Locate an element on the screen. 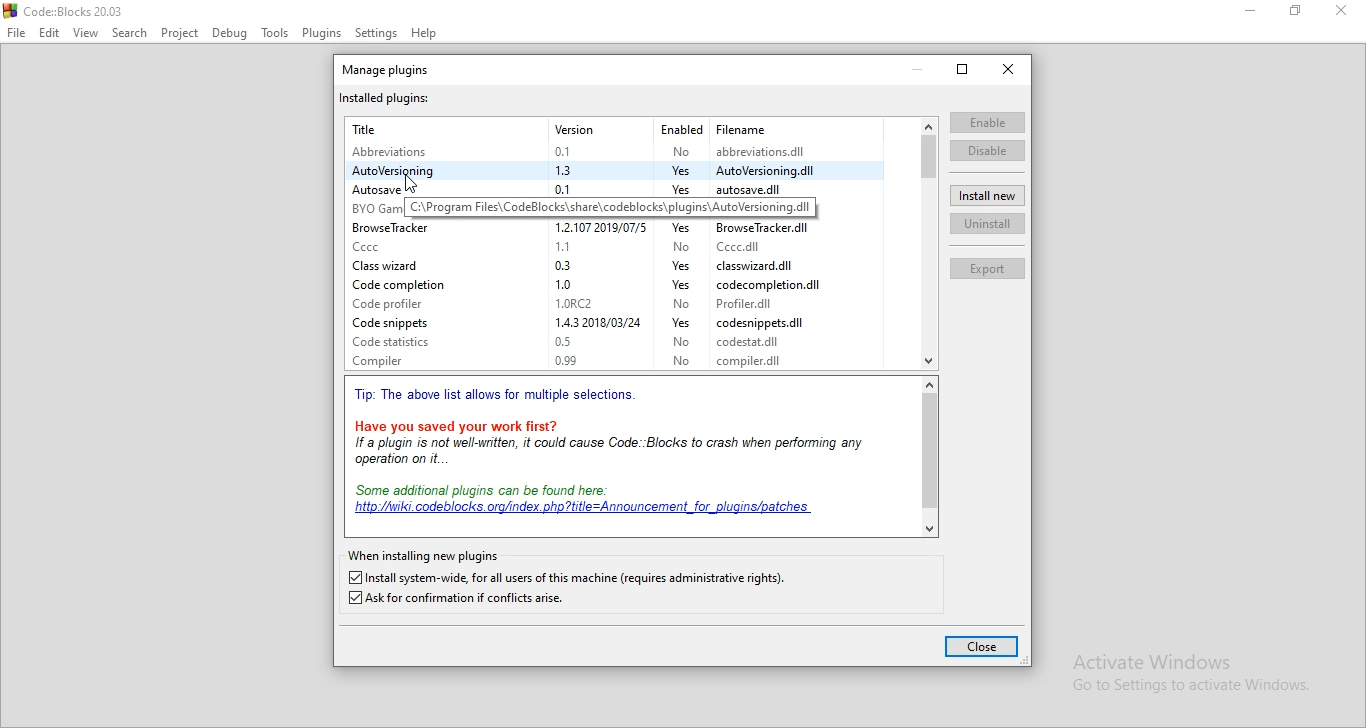  AutoVersioning is located at coordinates (400, 171).